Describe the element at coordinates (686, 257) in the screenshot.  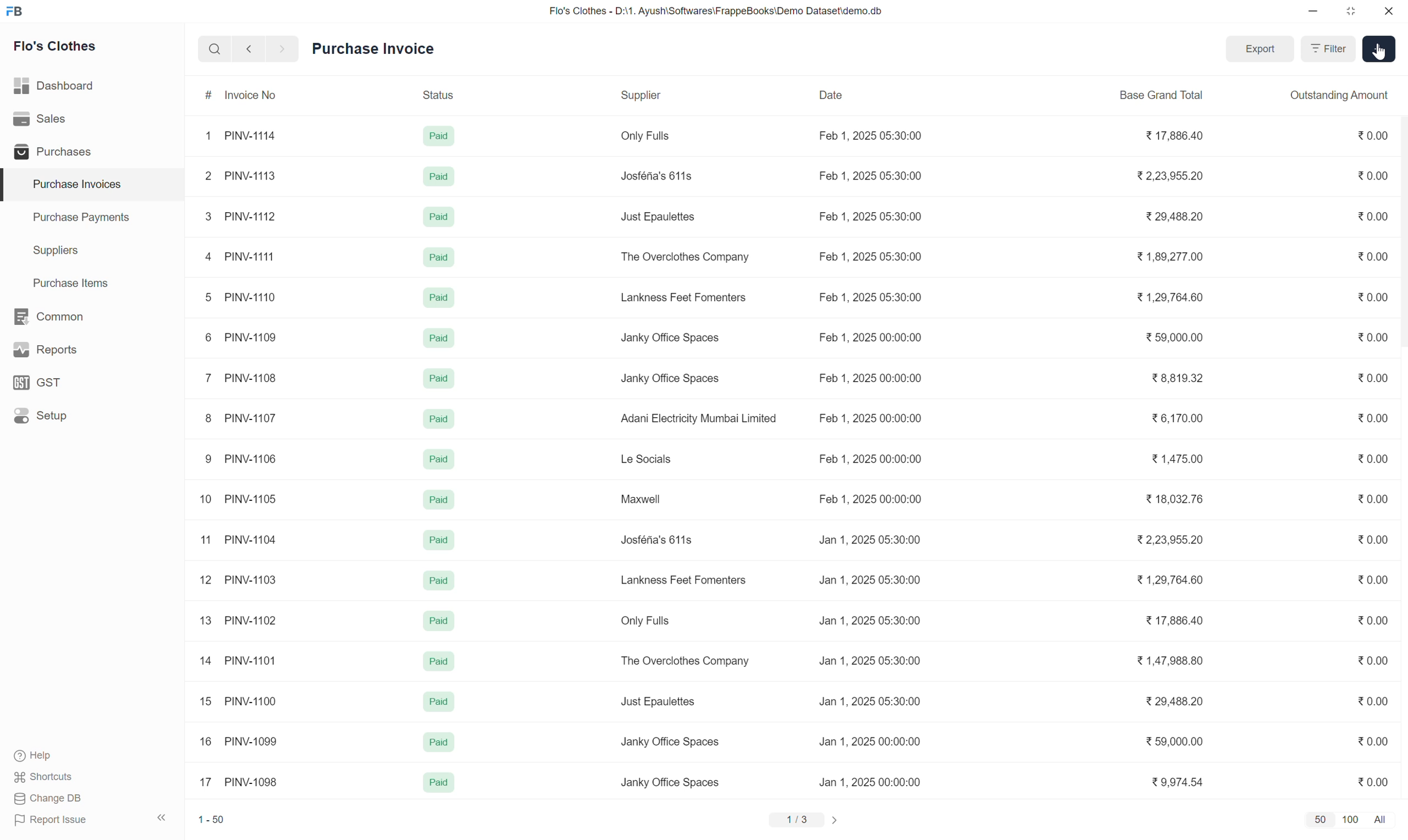
I see `The Overclothes Company` at that location.